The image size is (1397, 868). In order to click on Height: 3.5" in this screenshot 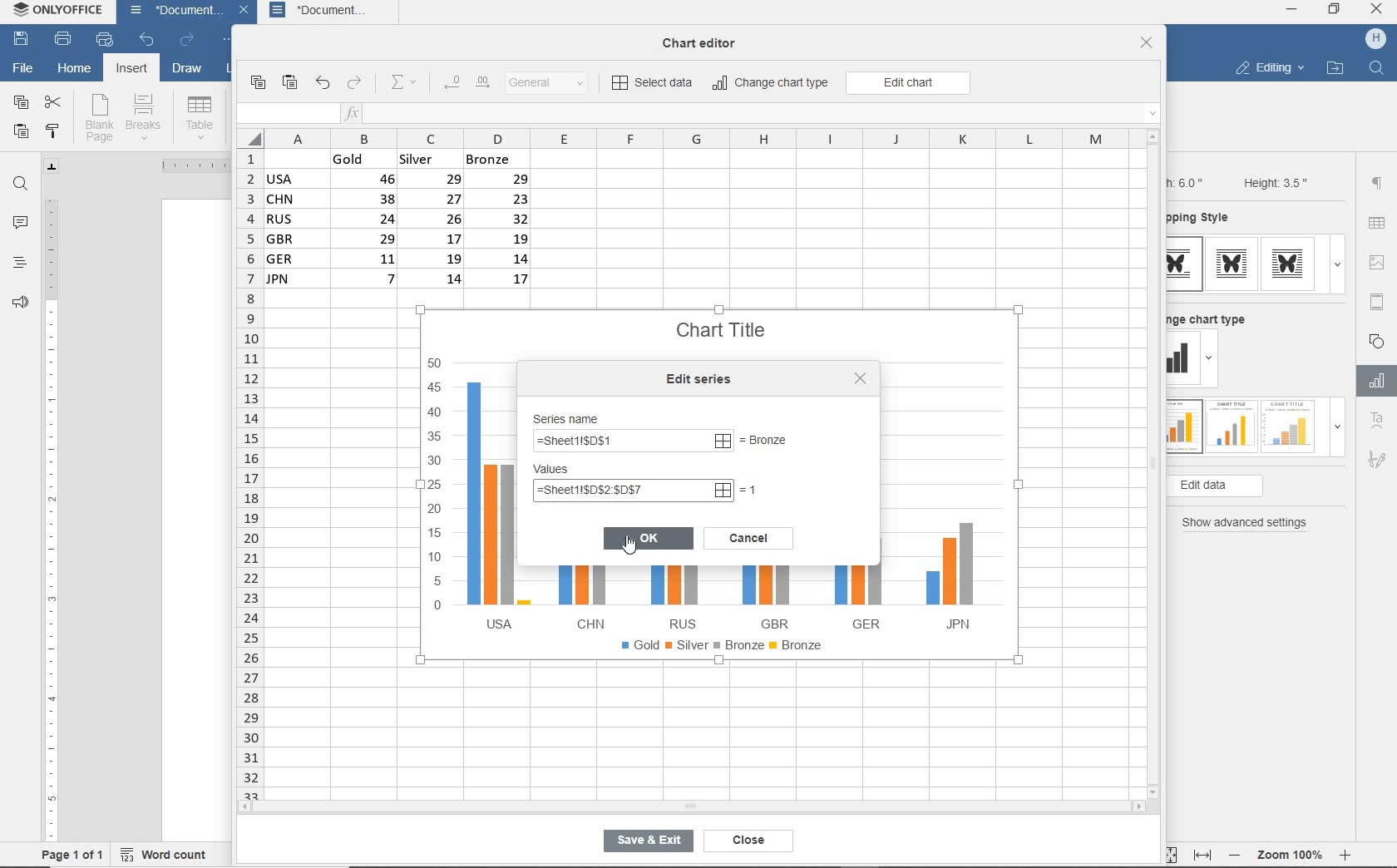, I will do `click(1273, 182)`.